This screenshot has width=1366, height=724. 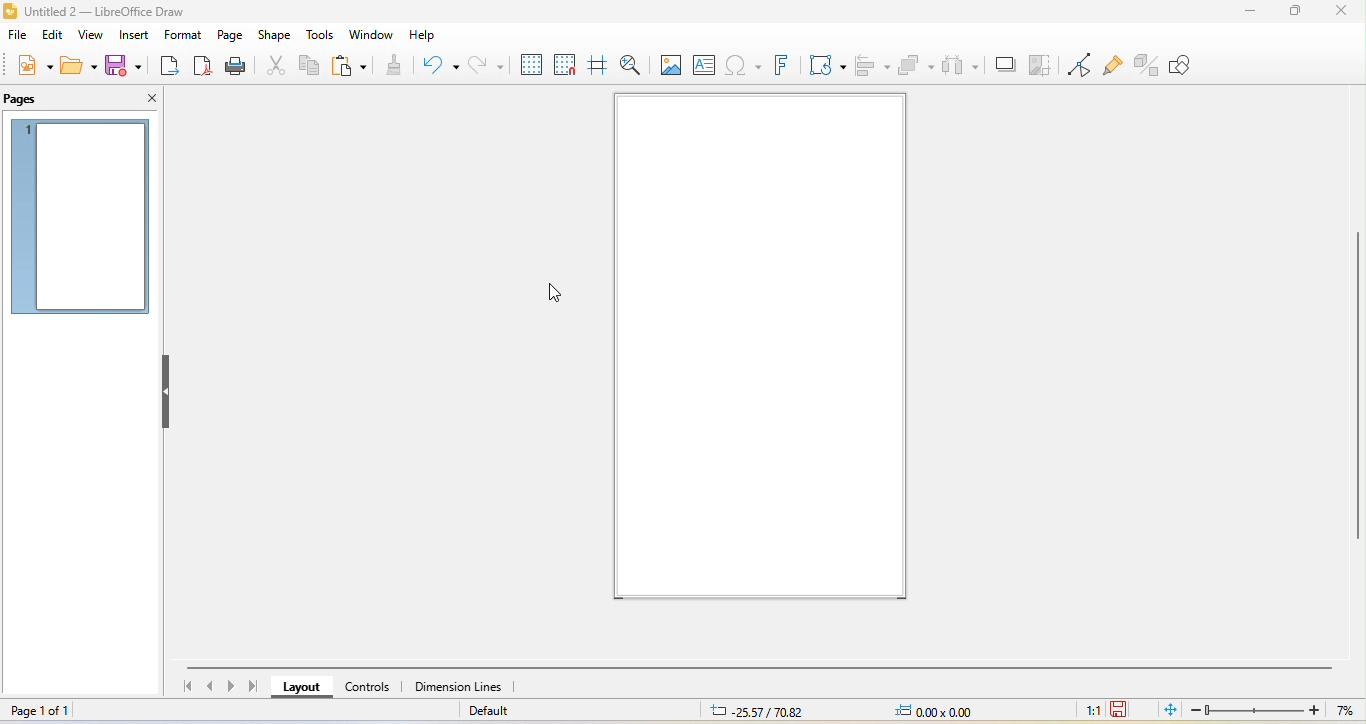 I want to click on snap to grid, so click(x=567, y=66).